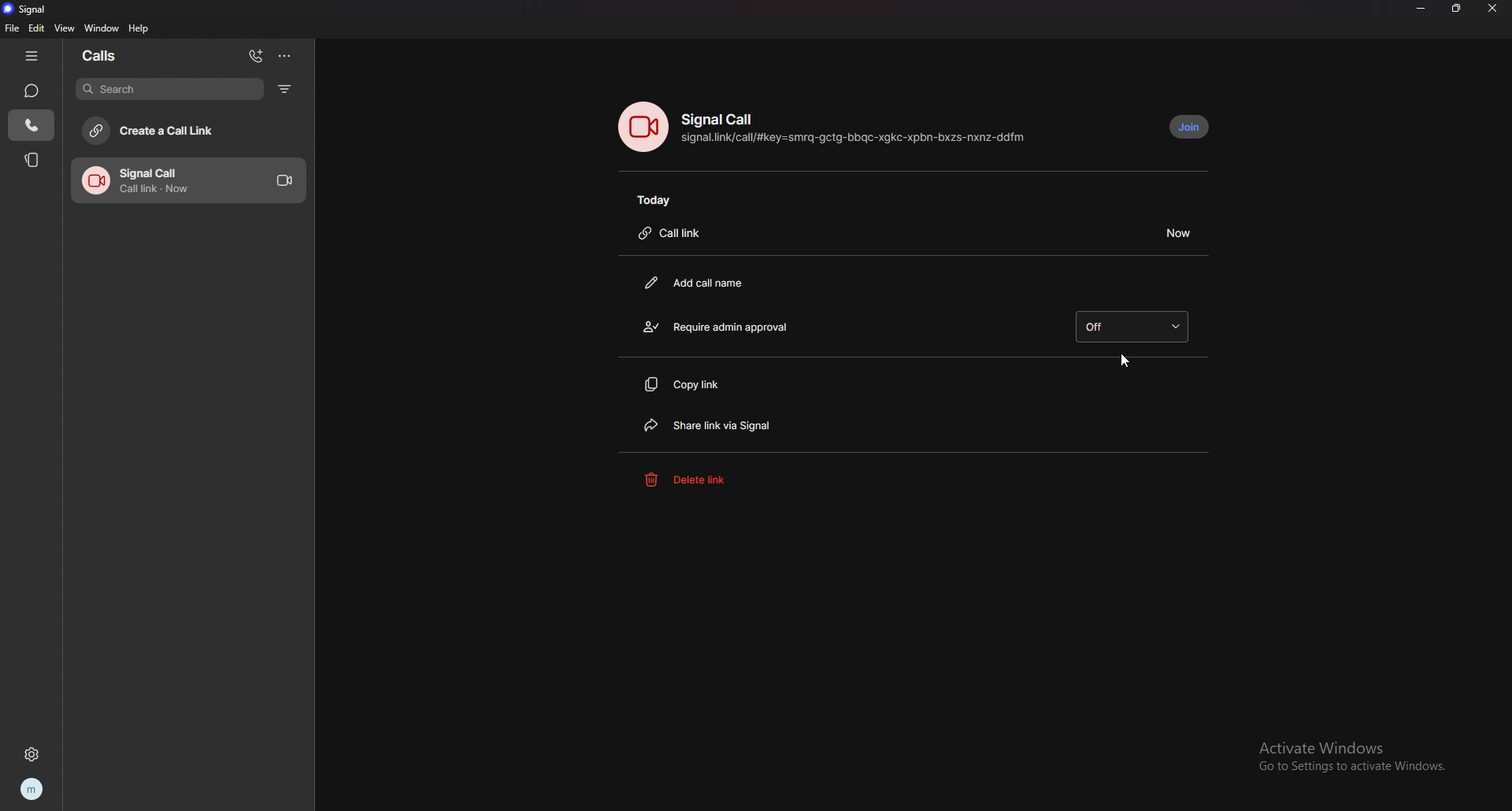  Describe the element at coordinates (283, 56) in the screenshot. I see `options` at that location.